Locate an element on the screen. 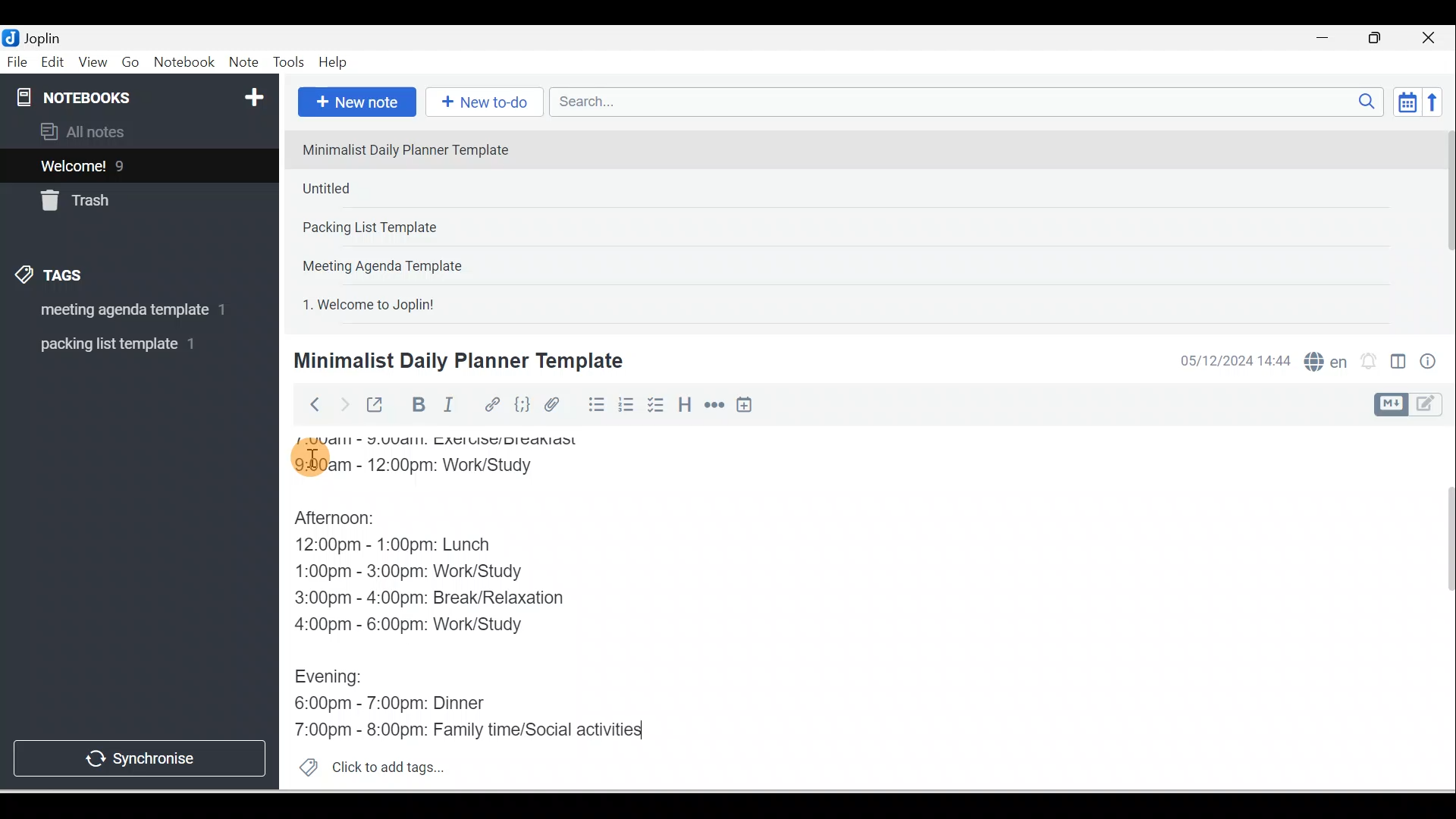 This screenshot has width=1456, height=819. Minimise is located at coordinates (1327, 39).